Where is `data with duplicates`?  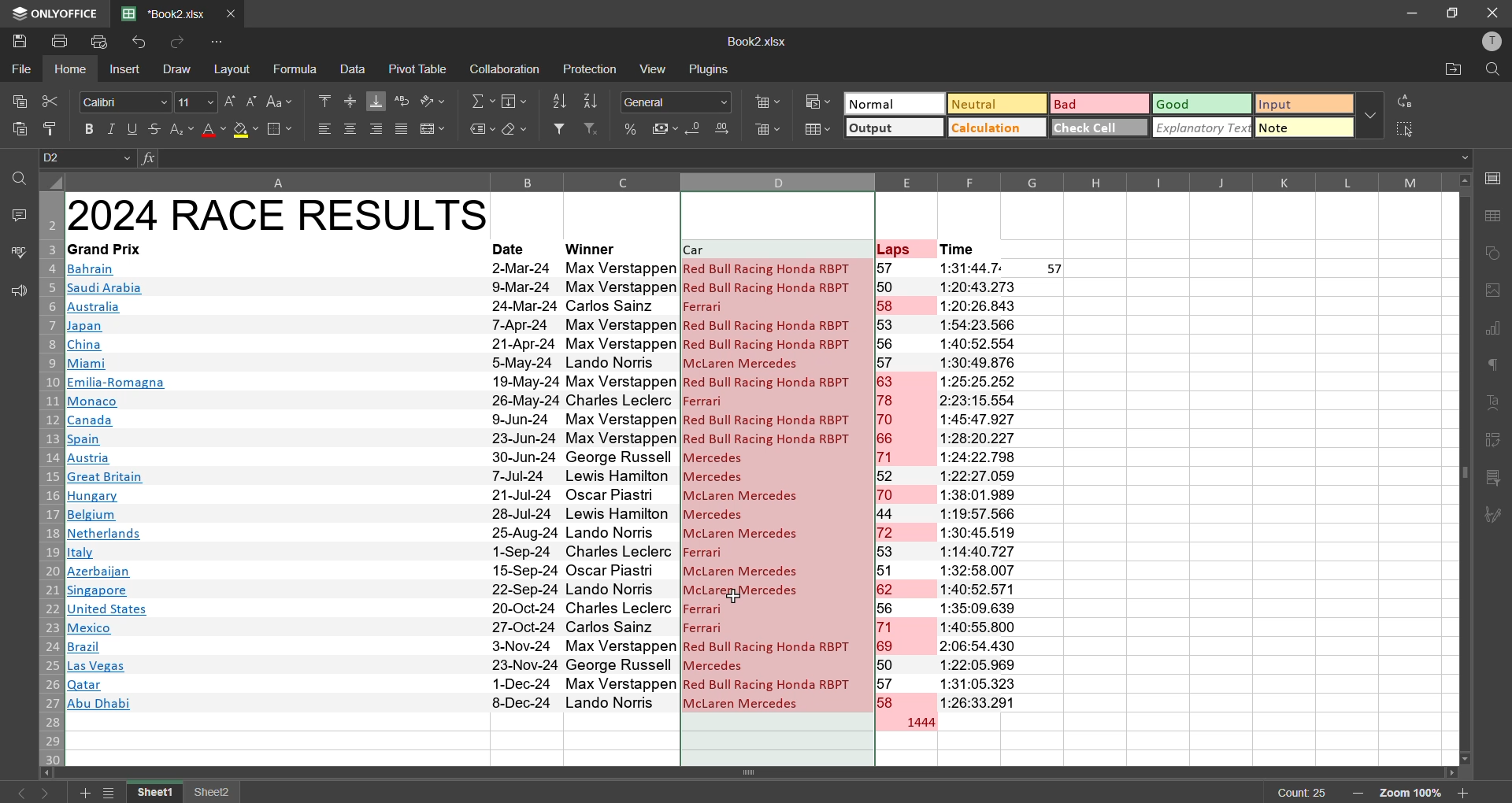
data with duplicates is located at coordinates (778, 489).